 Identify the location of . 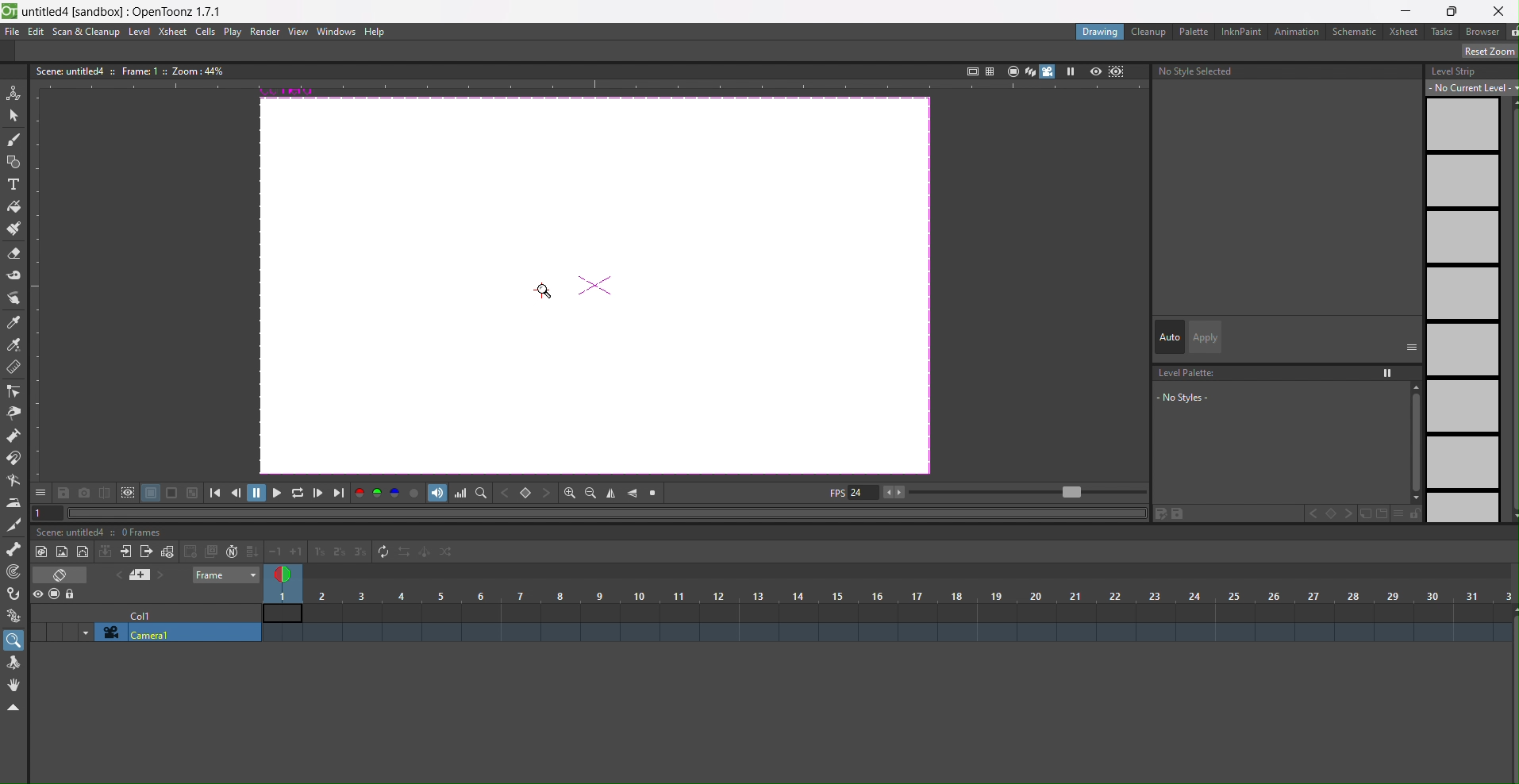
(415, 492).